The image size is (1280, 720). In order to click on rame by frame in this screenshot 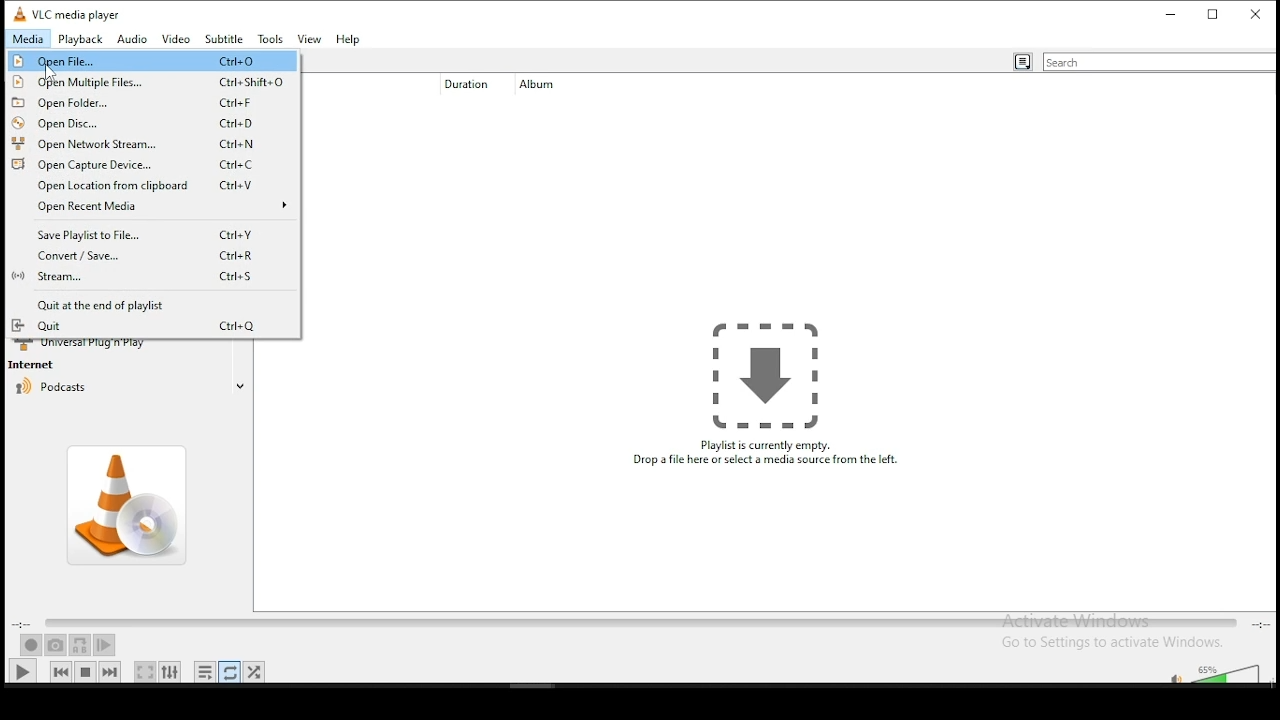, I will do `click(104, 645)`.